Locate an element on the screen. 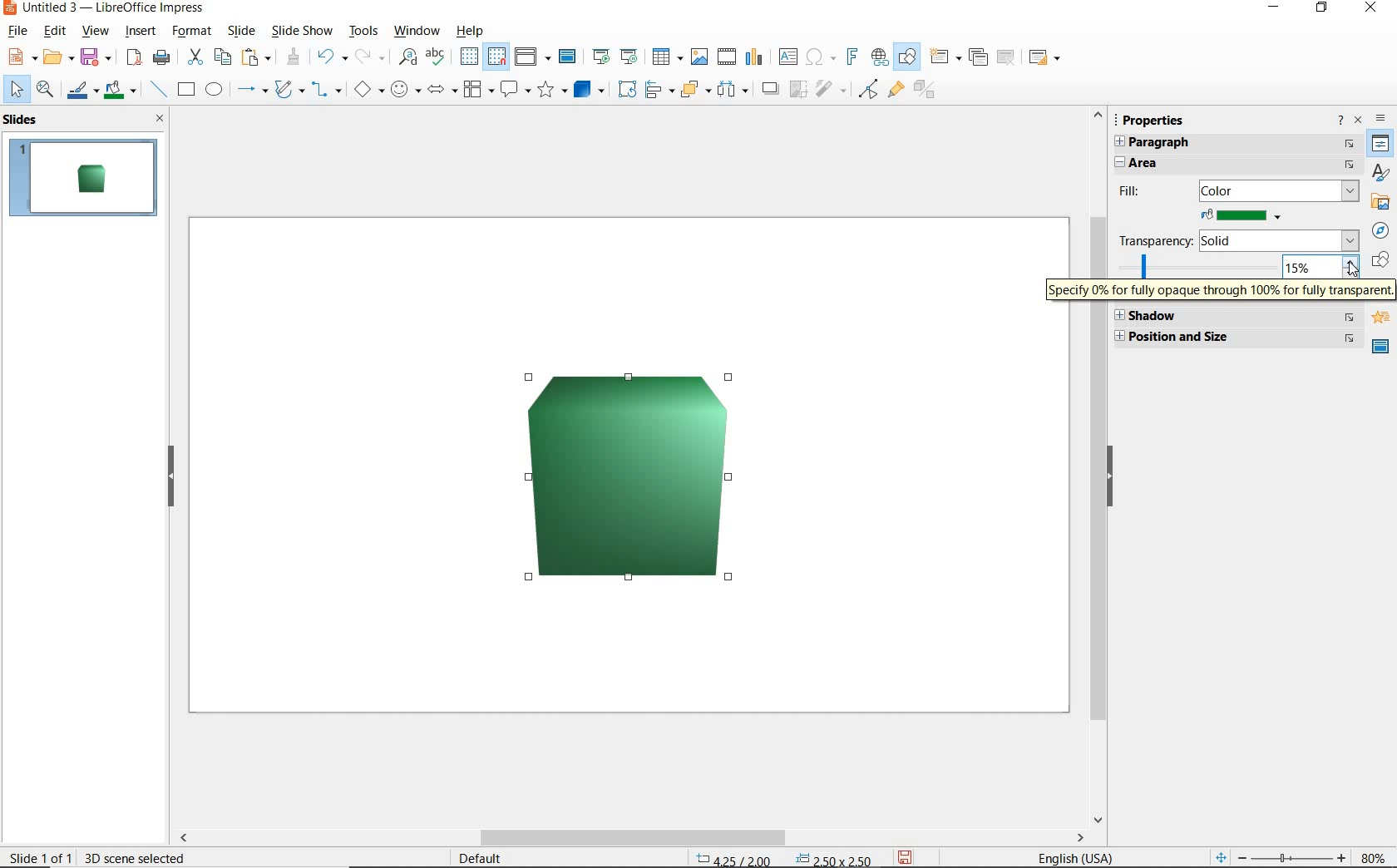  basic shapes is located at coordinates (371, 88).